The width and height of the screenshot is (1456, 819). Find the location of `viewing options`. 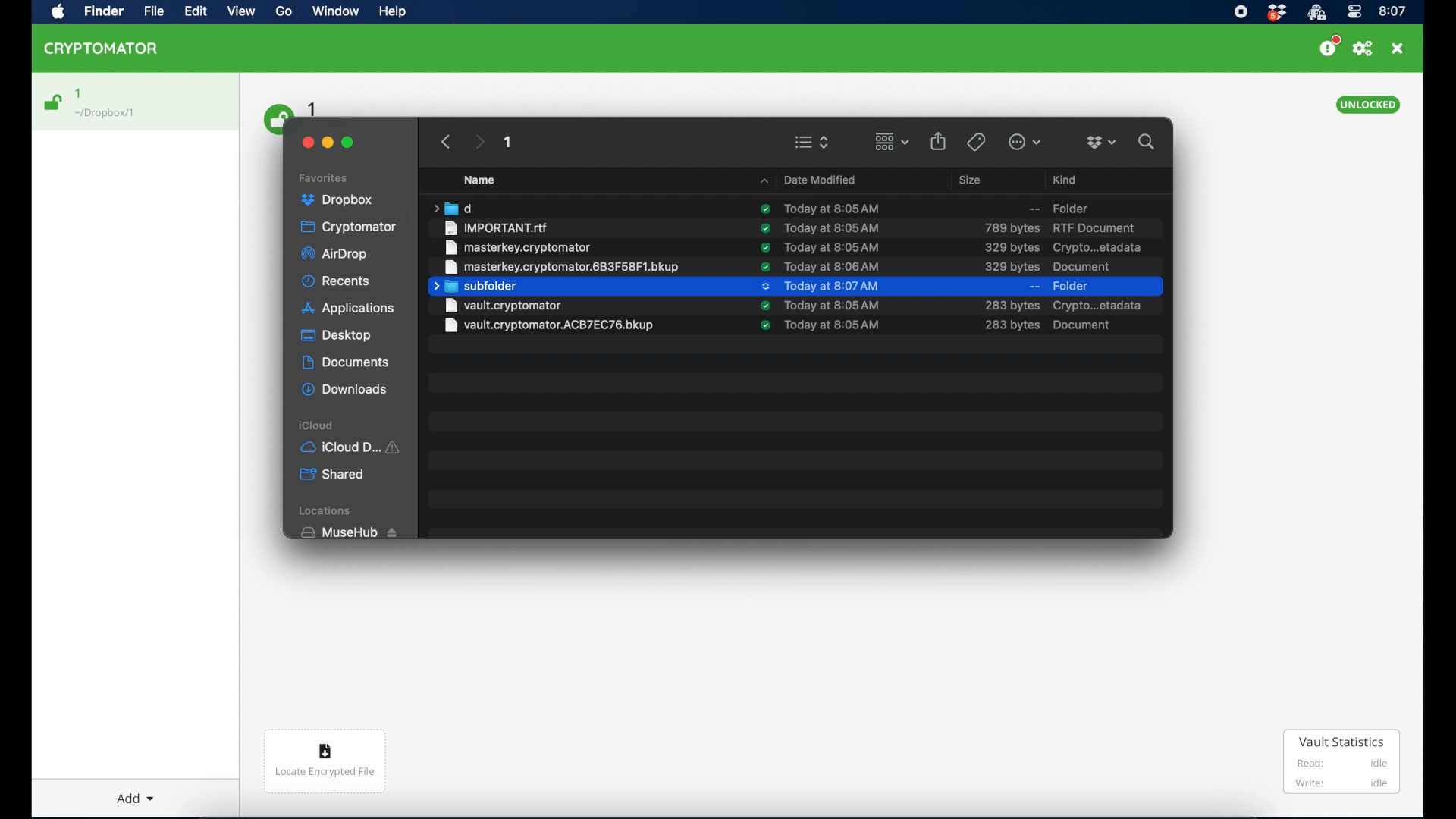

viewing options is located at coordinates (812, 142).